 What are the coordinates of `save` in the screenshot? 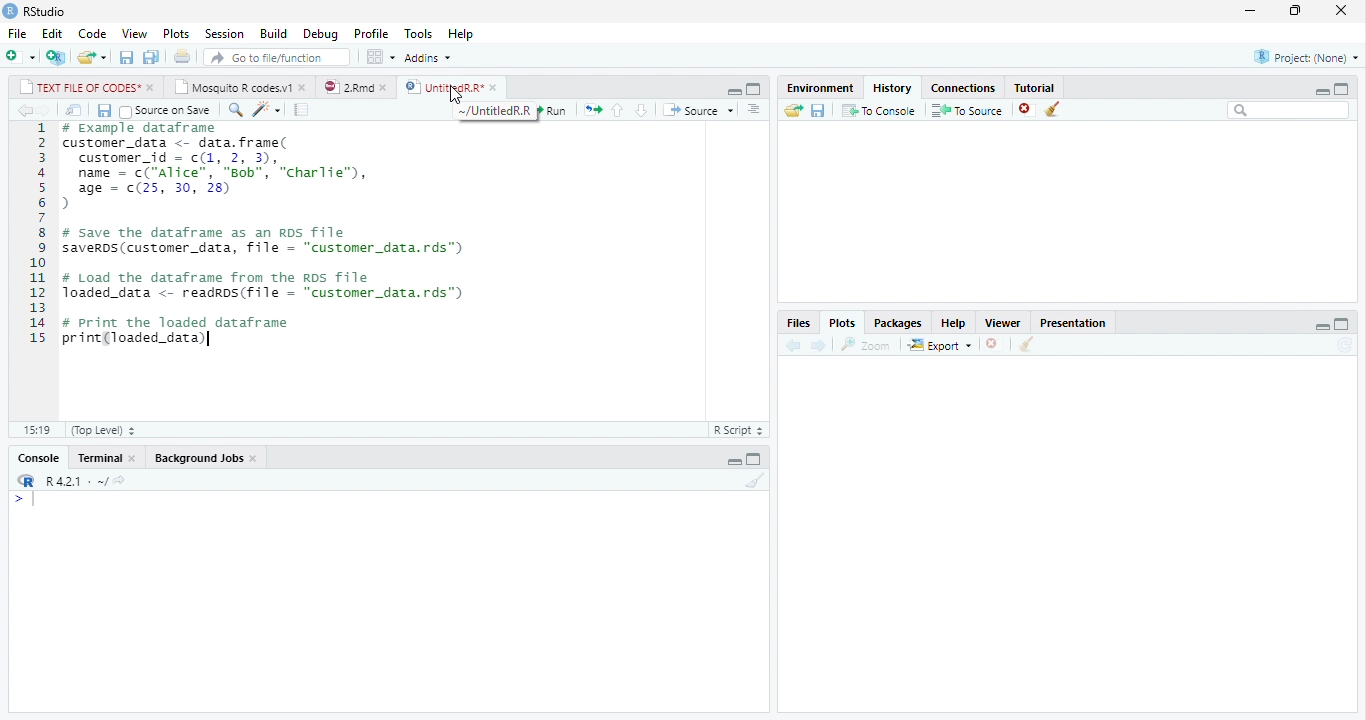 It's located at (819, 111).